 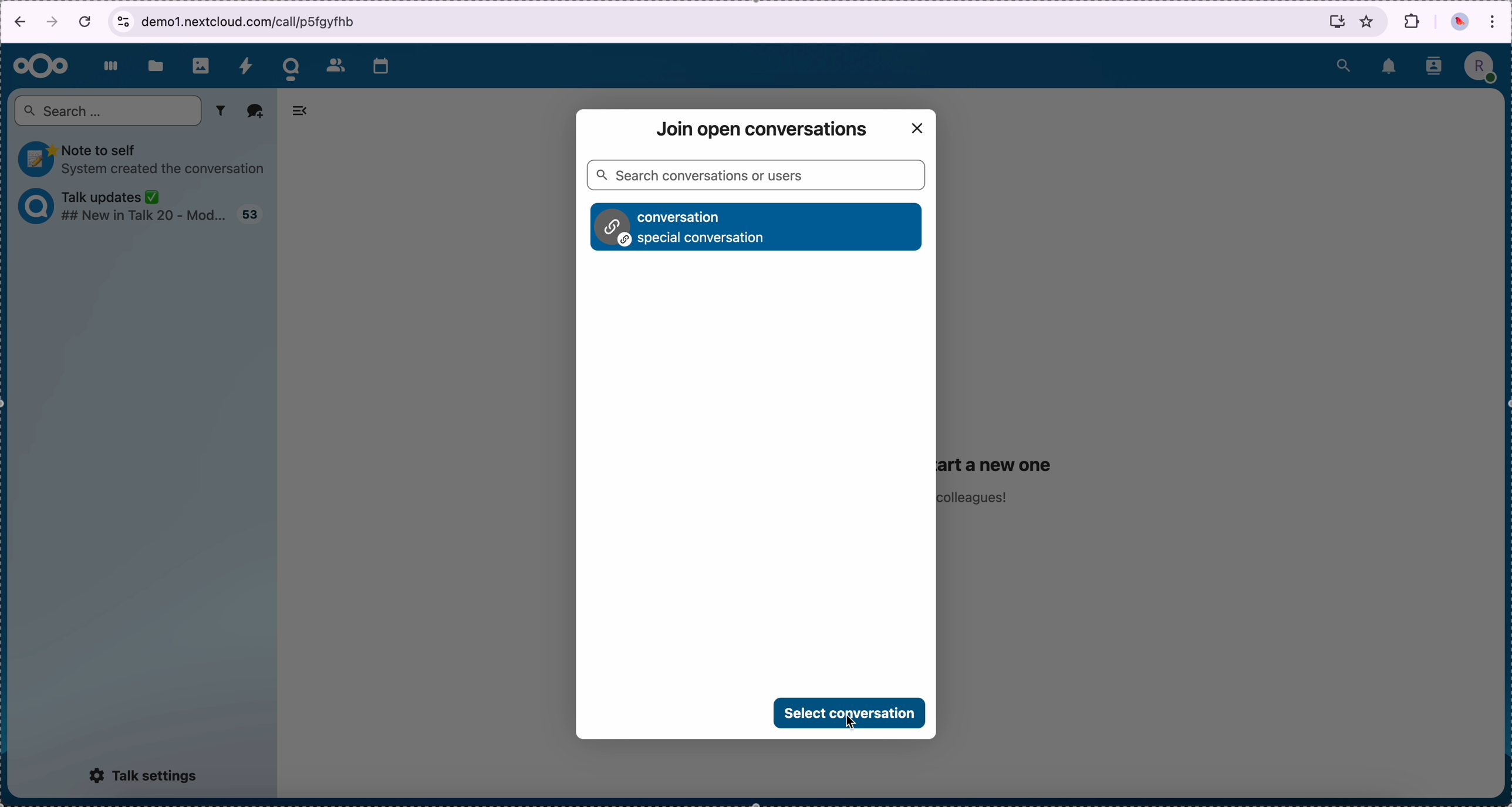 What do you see at coordinates (33, 21) in the screenshot?
I see `navigation arrows` at bounding box center [33, 21].